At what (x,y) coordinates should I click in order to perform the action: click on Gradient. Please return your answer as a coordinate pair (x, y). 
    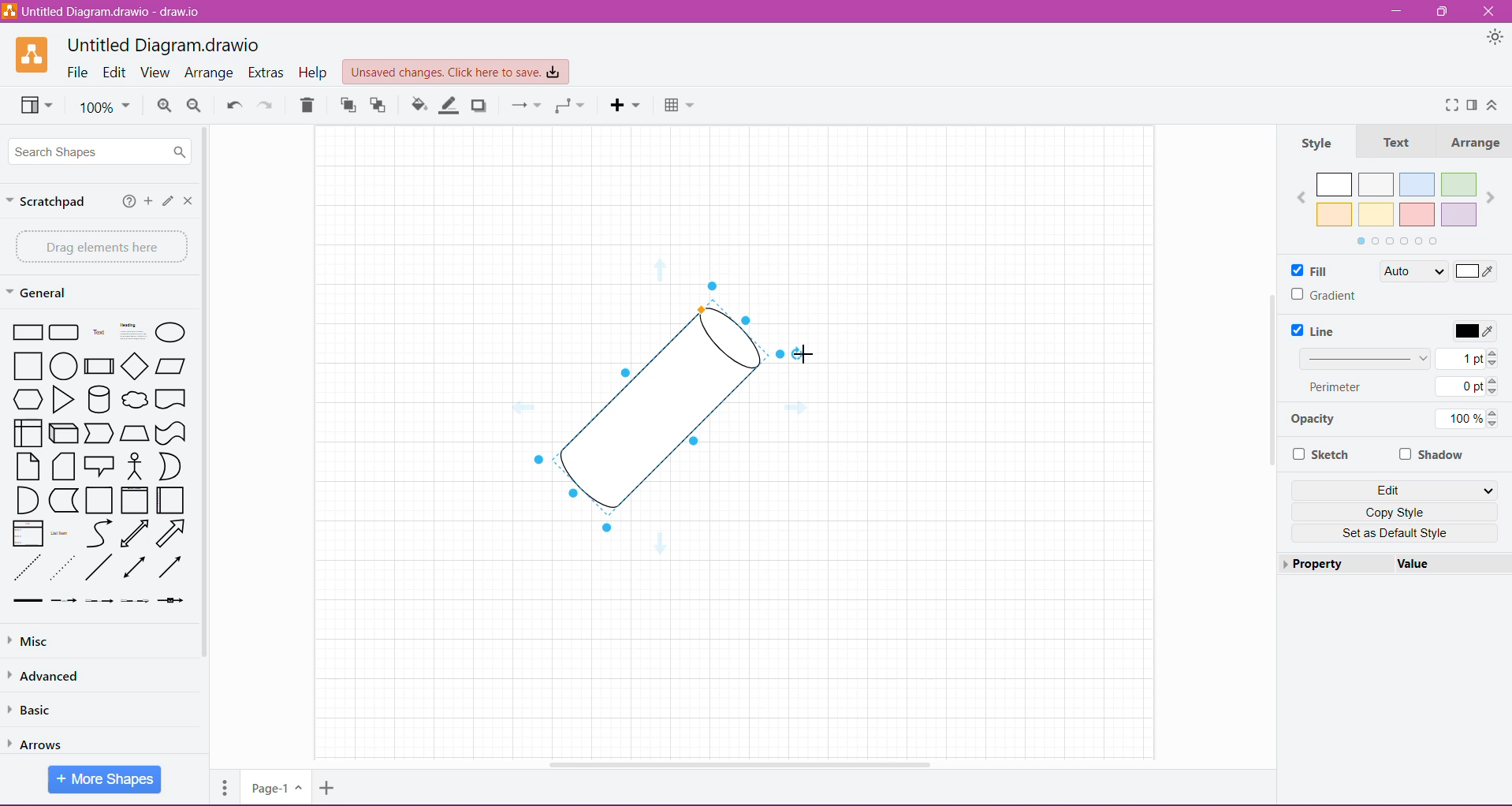
    Looking at the image, I should click on (1324, 295).